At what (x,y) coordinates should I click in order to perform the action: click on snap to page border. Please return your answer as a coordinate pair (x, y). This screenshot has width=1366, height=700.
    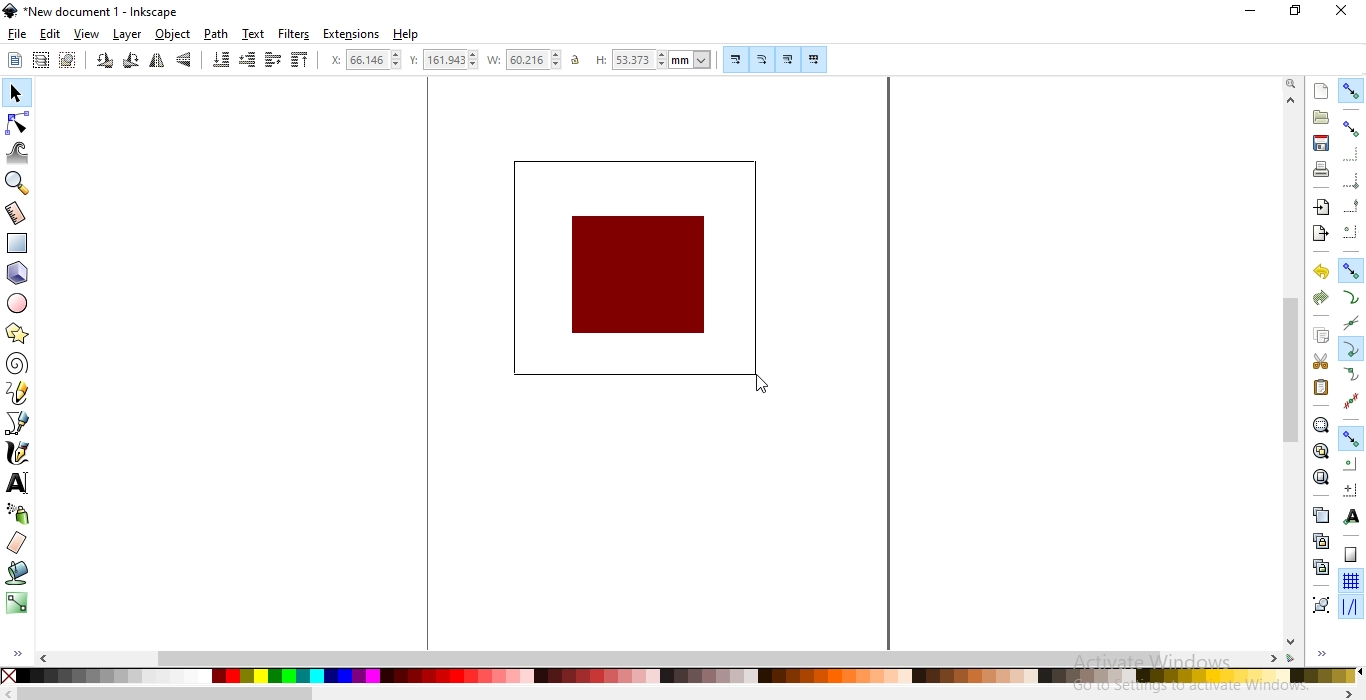
    Looking at the image, I should click on (1350, 555).